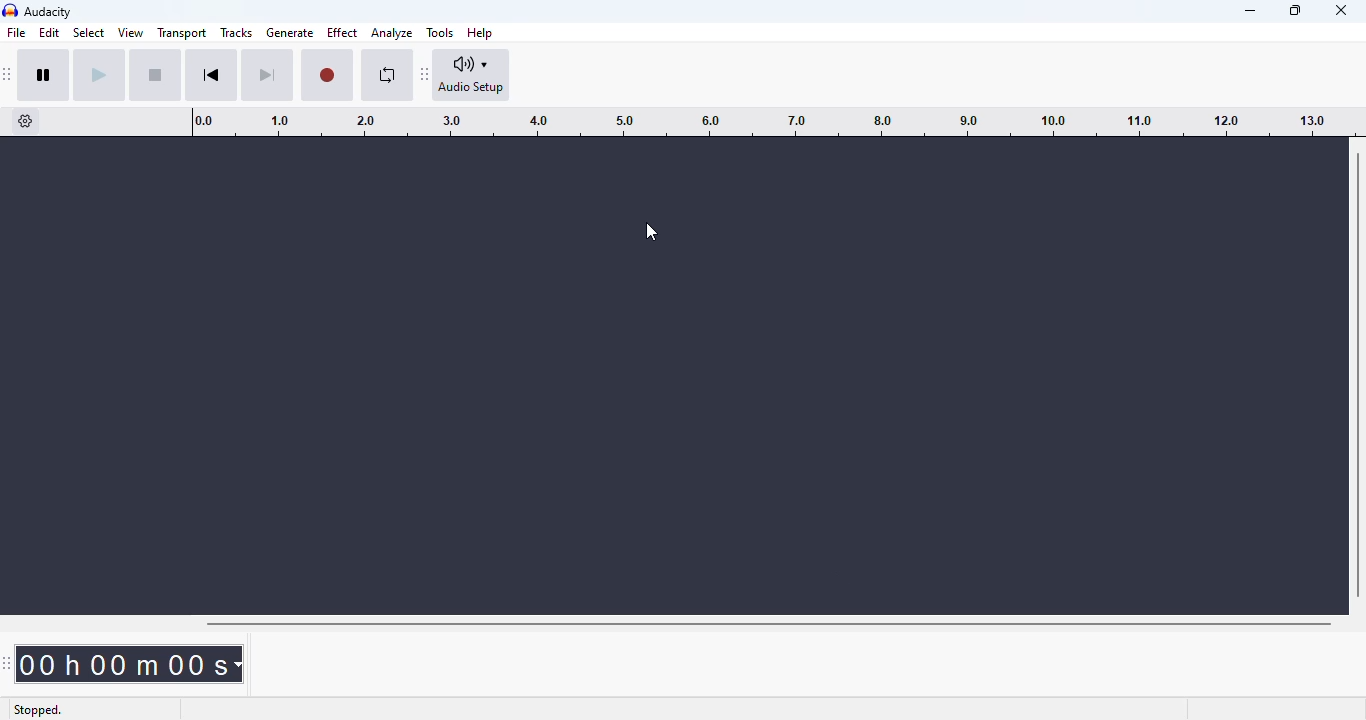 This screenshot has height=720, width=1366. What do you see at coordinates (134, 663) in the screenshot?
I see `time` at bounding box center [134, 663].